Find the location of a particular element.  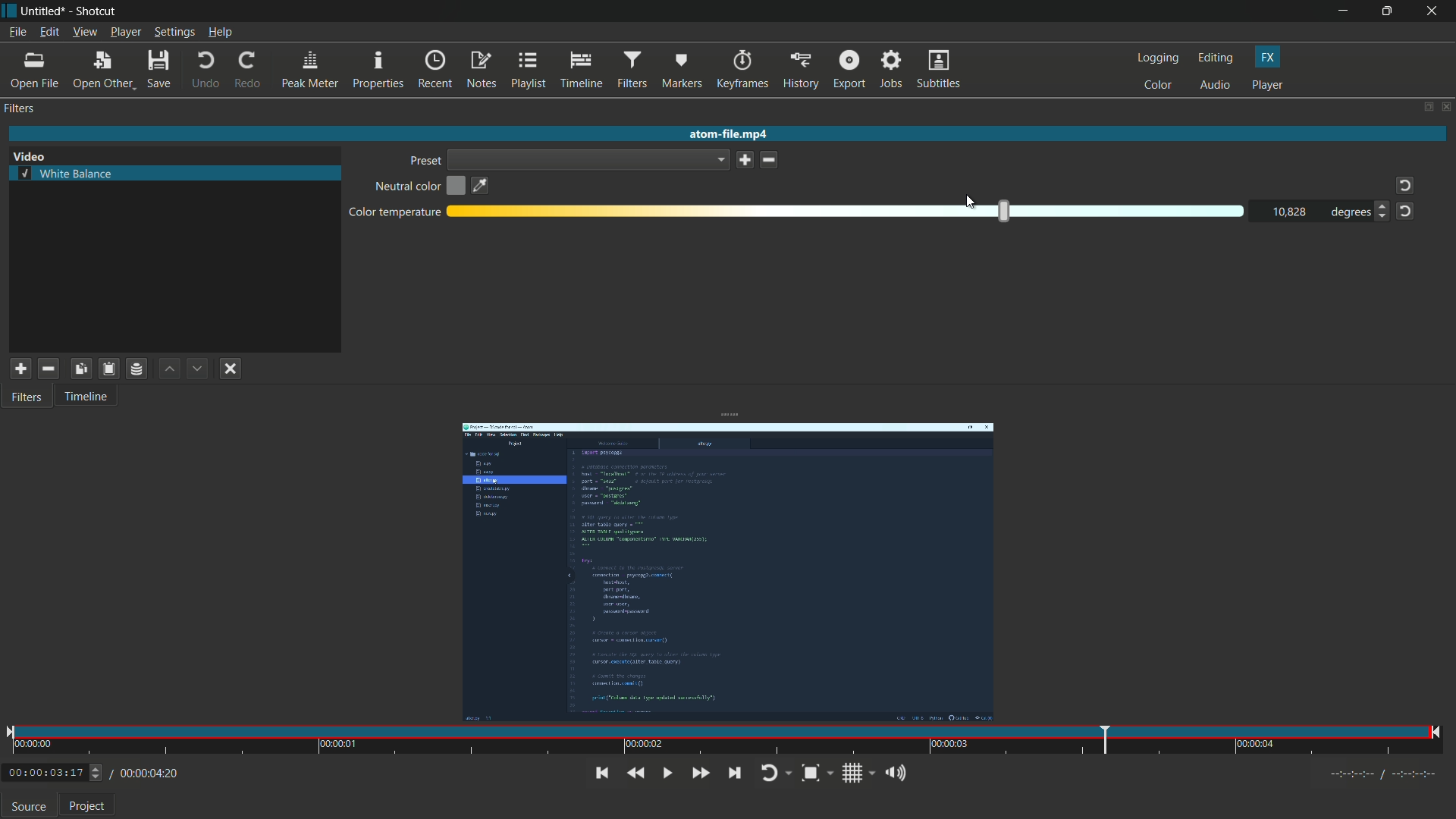

0:00:03:17 (current time) is located at coordinates (53, 770).